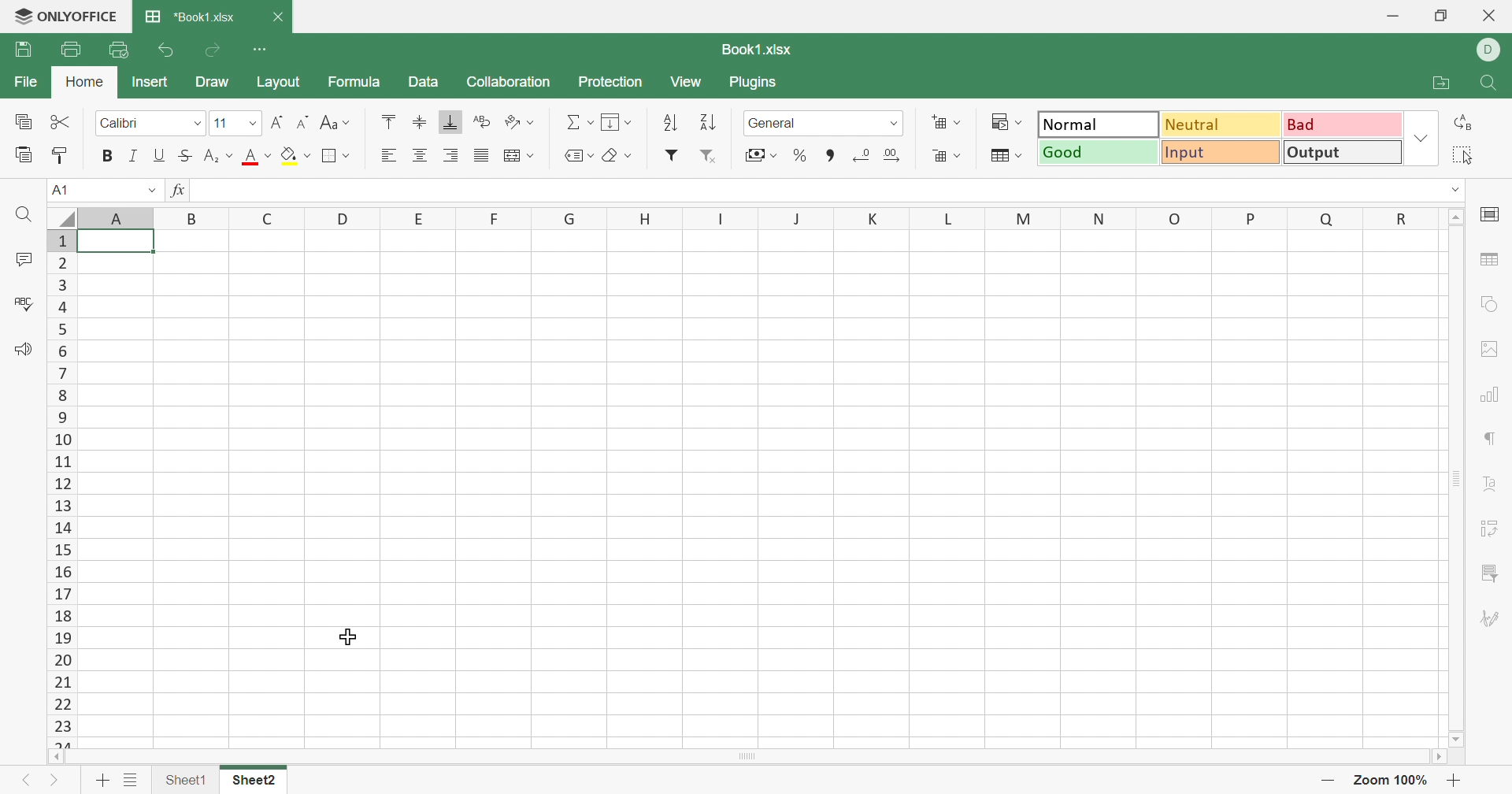 Image resolution: width=1512 pixels, height=794 pixels. I want to click on Named range, so click(579, 158).